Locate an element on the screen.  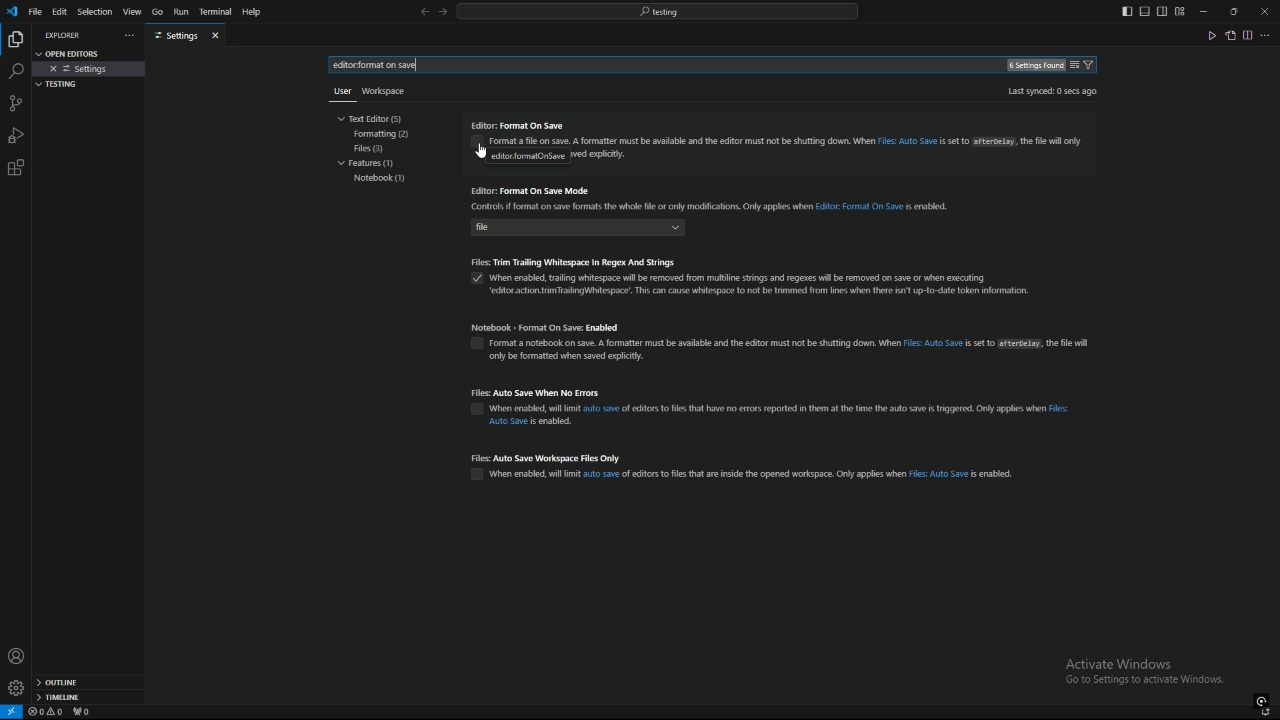
testing is located at coordinates (61, 84).